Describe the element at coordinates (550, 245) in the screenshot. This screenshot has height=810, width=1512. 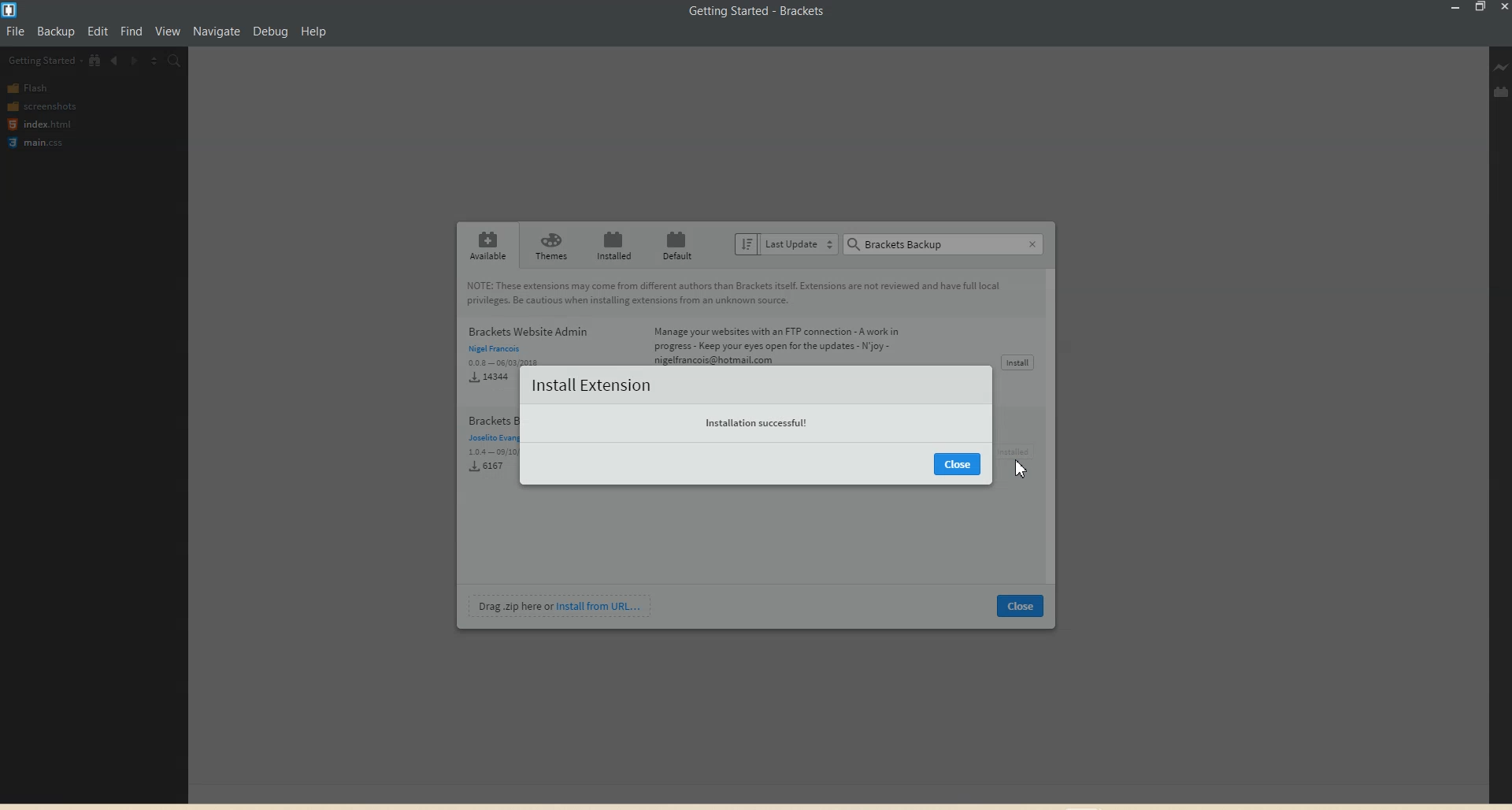
I see `Themes` at that location.